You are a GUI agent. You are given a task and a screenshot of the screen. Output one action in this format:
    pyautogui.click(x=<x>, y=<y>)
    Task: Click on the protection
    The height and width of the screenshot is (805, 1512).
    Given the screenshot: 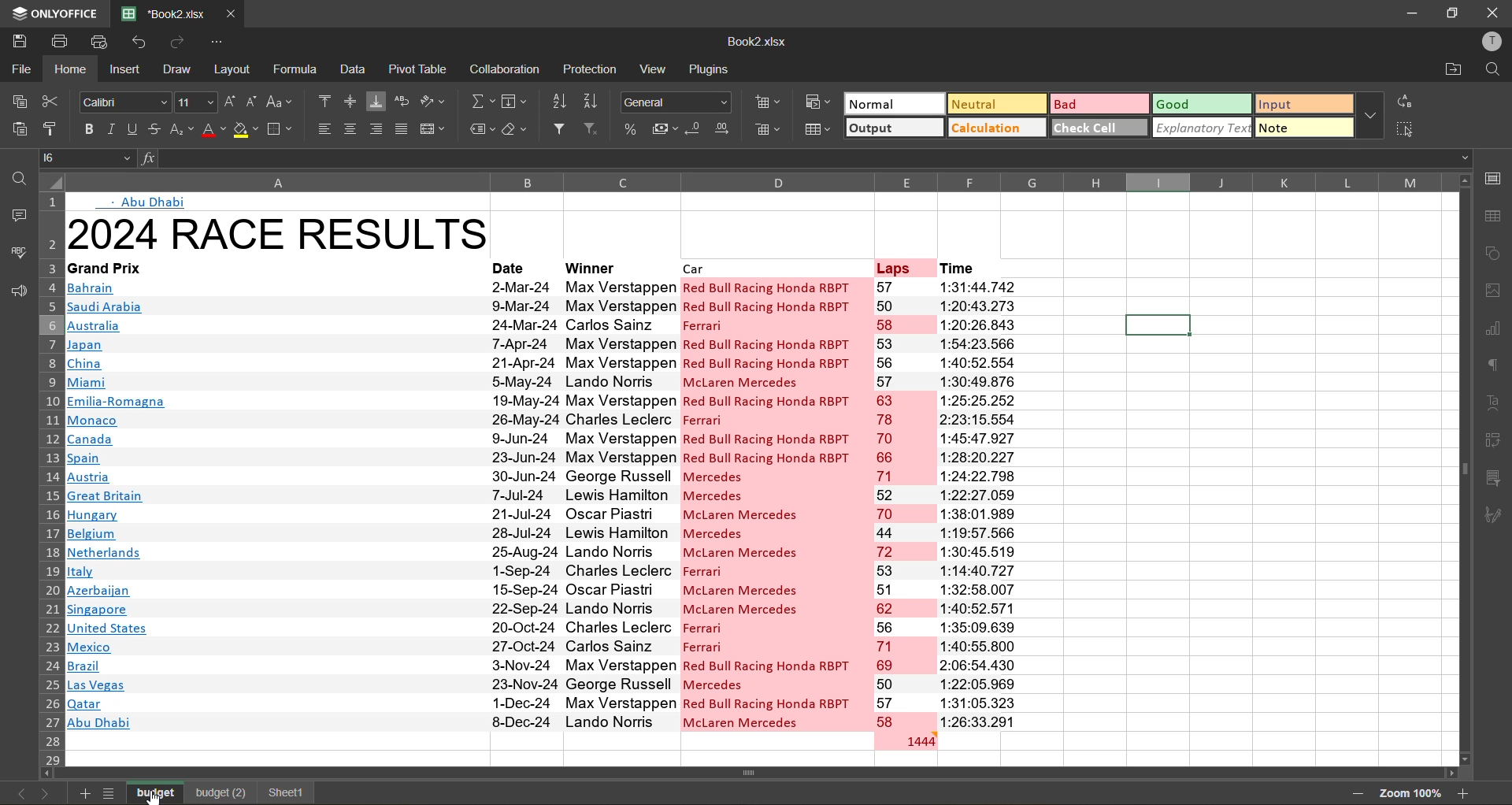 What is the action you would take?
    pyautogui.click(x=590, y=70)
    